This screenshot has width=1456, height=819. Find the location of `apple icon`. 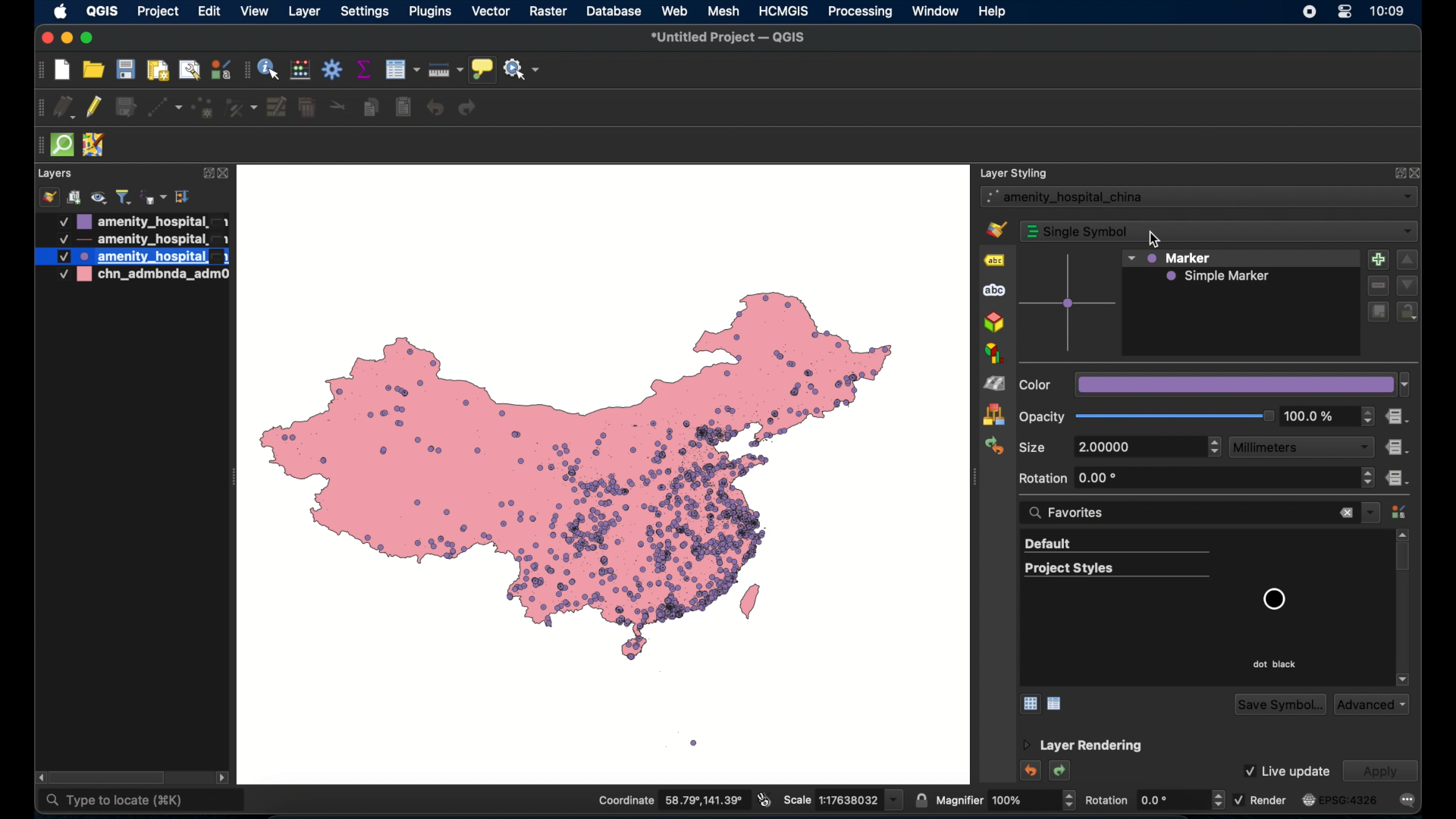

apple icon is located at coordinates (61, 13).